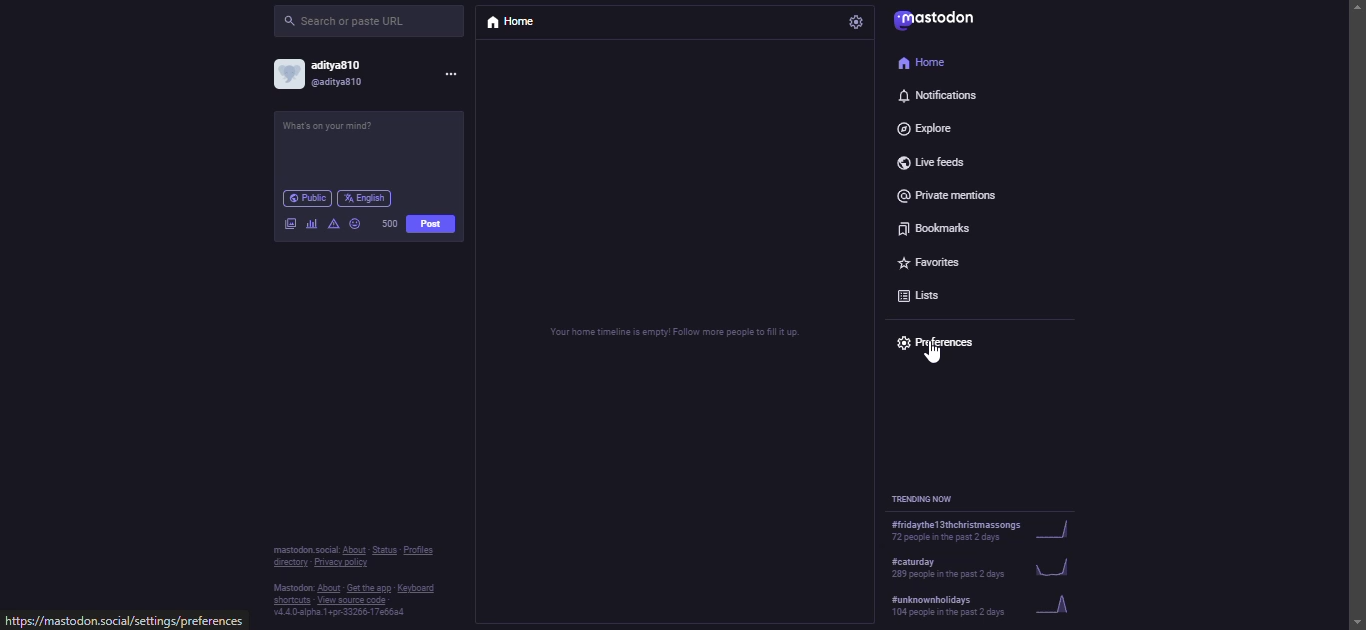  I want to click on post, so click(334, 127).